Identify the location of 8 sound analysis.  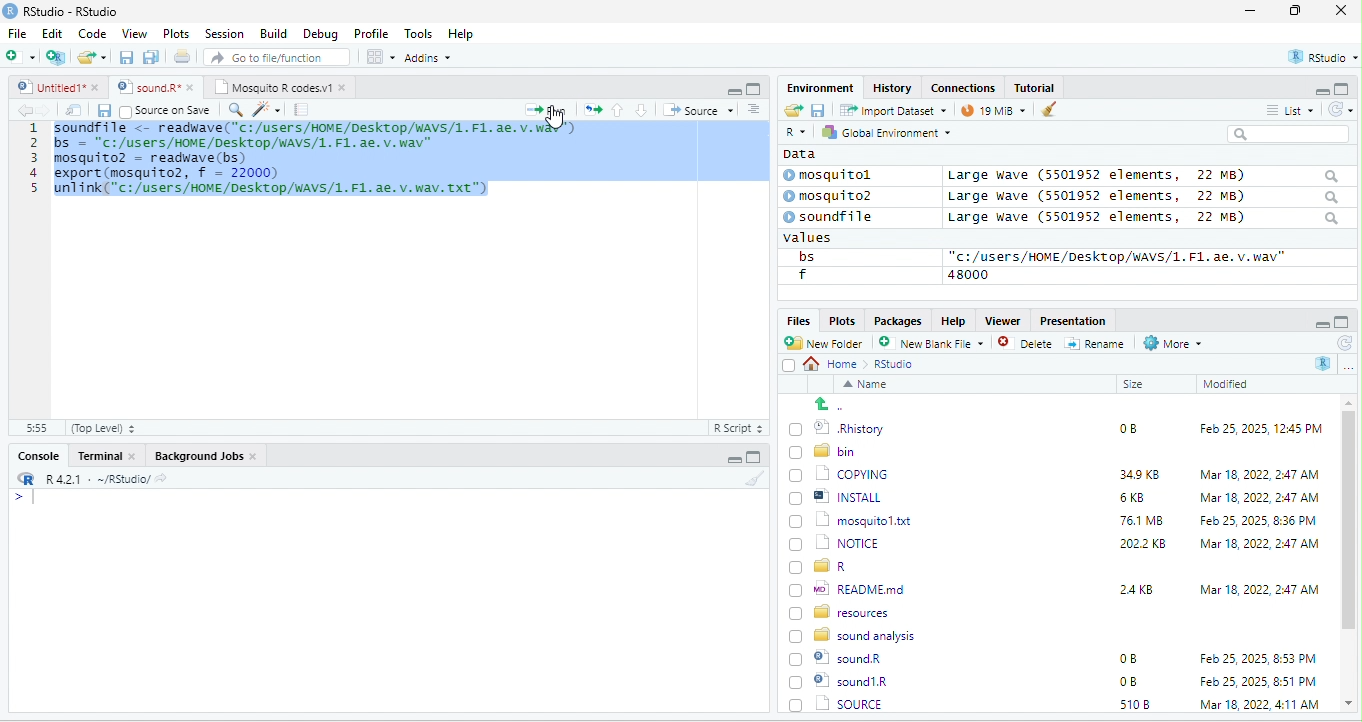
(855, 634).